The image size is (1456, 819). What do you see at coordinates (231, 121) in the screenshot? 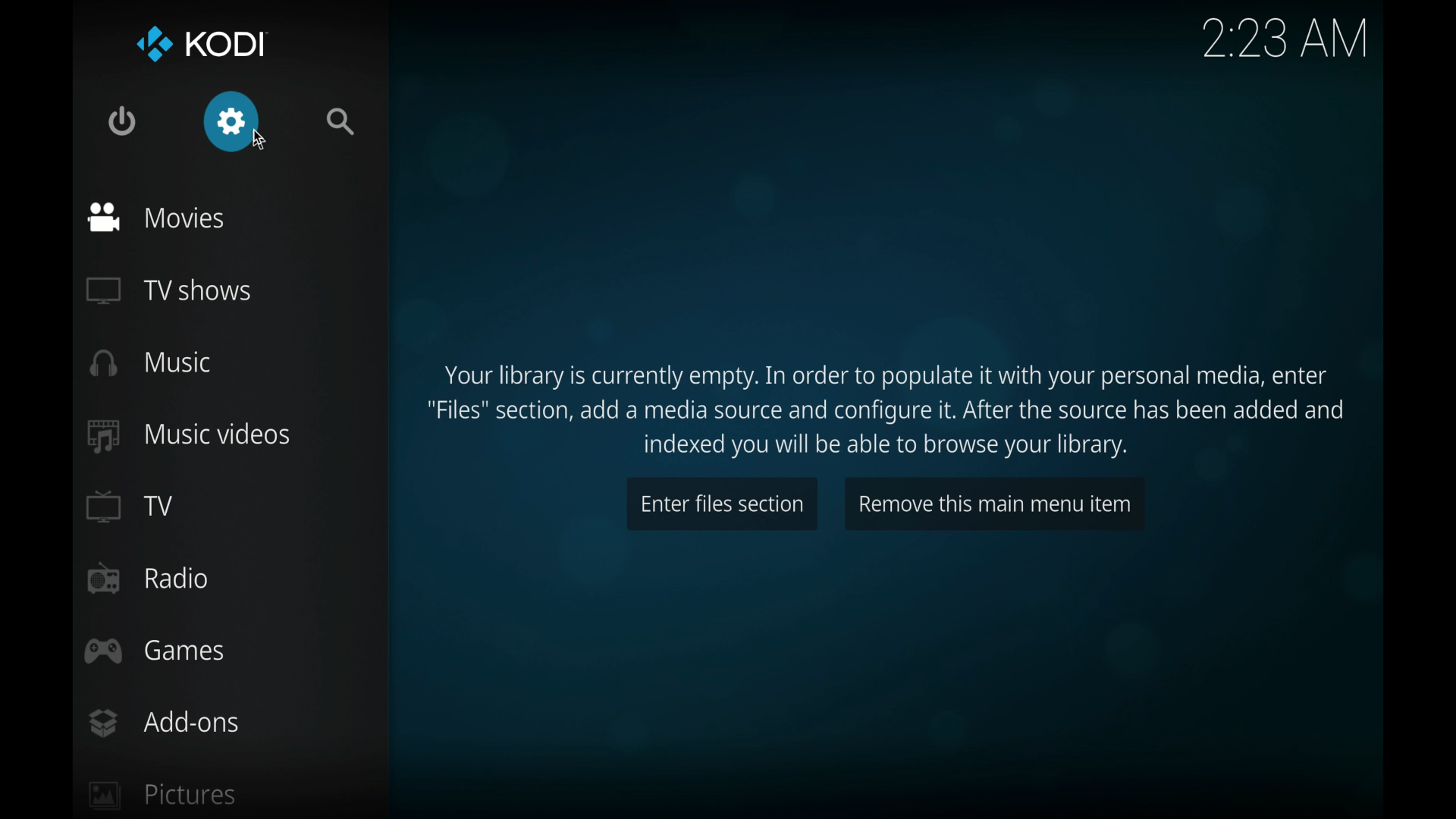
I see `settings` at bounding box center [231, 121].